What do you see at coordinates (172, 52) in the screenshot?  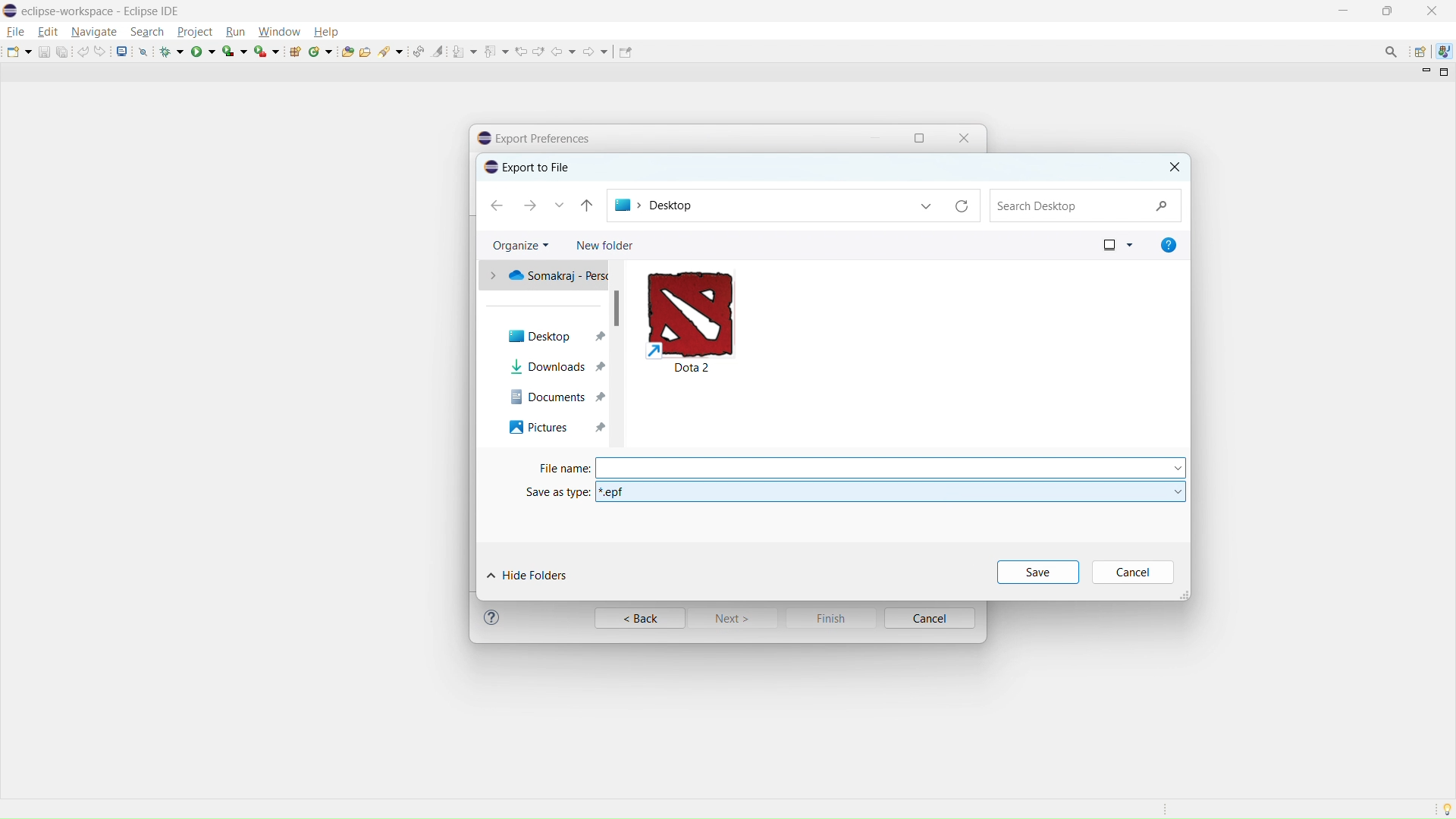 I see `debug` at bounding box center [172, 52].